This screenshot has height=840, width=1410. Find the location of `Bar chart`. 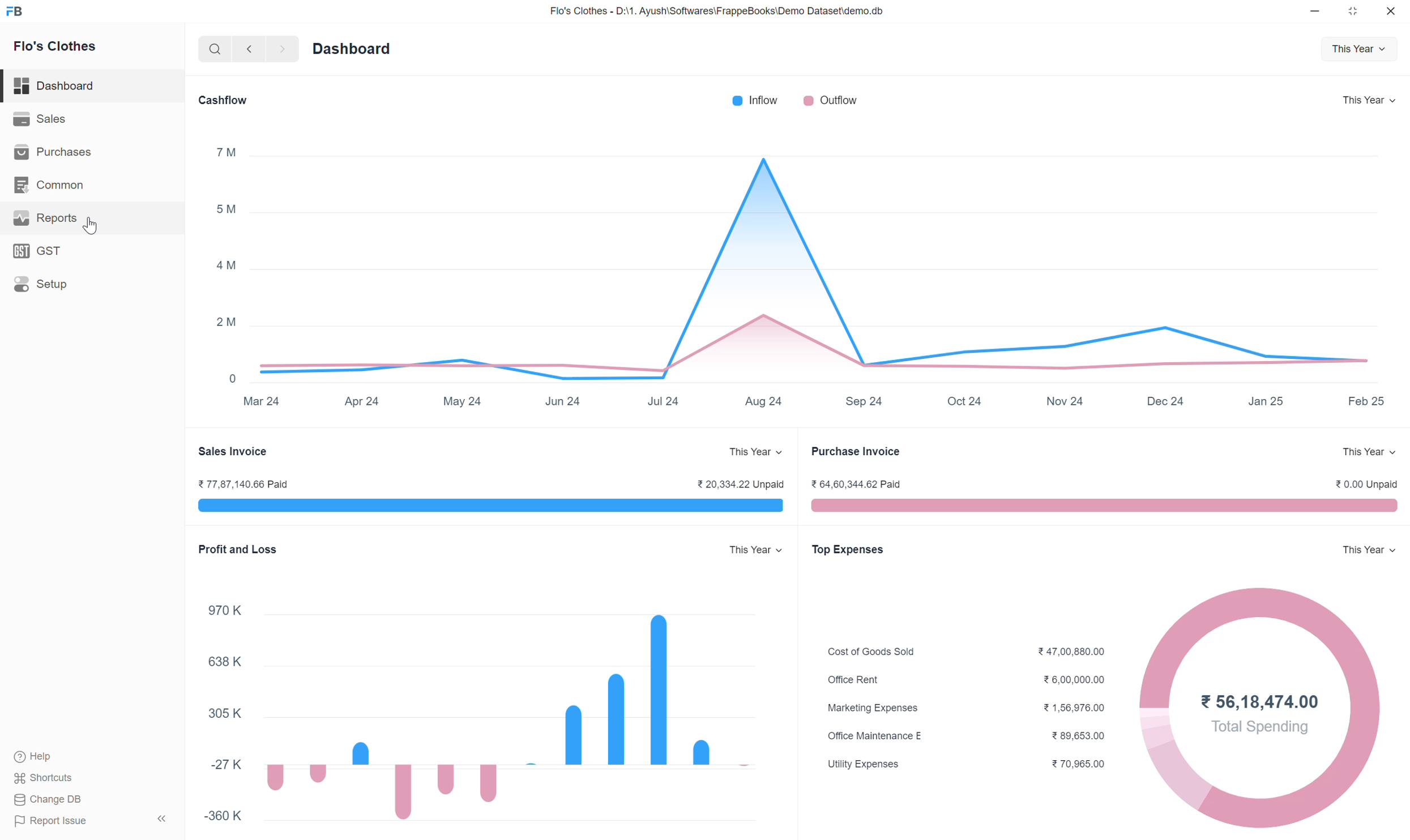

Bar chart is located at coordinates (494, 715).